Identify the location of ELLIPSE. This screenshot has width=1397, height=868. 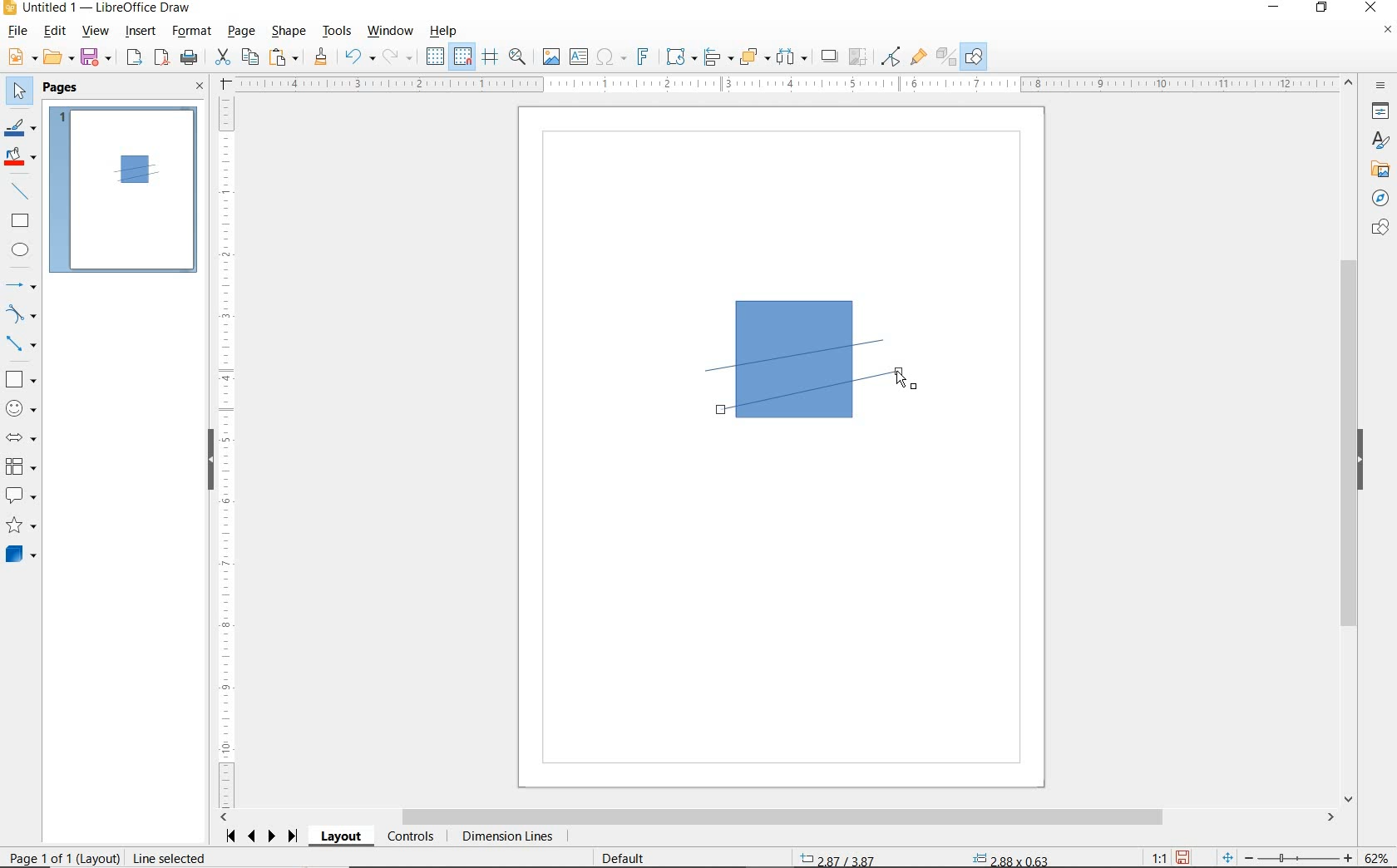
(22, 249).